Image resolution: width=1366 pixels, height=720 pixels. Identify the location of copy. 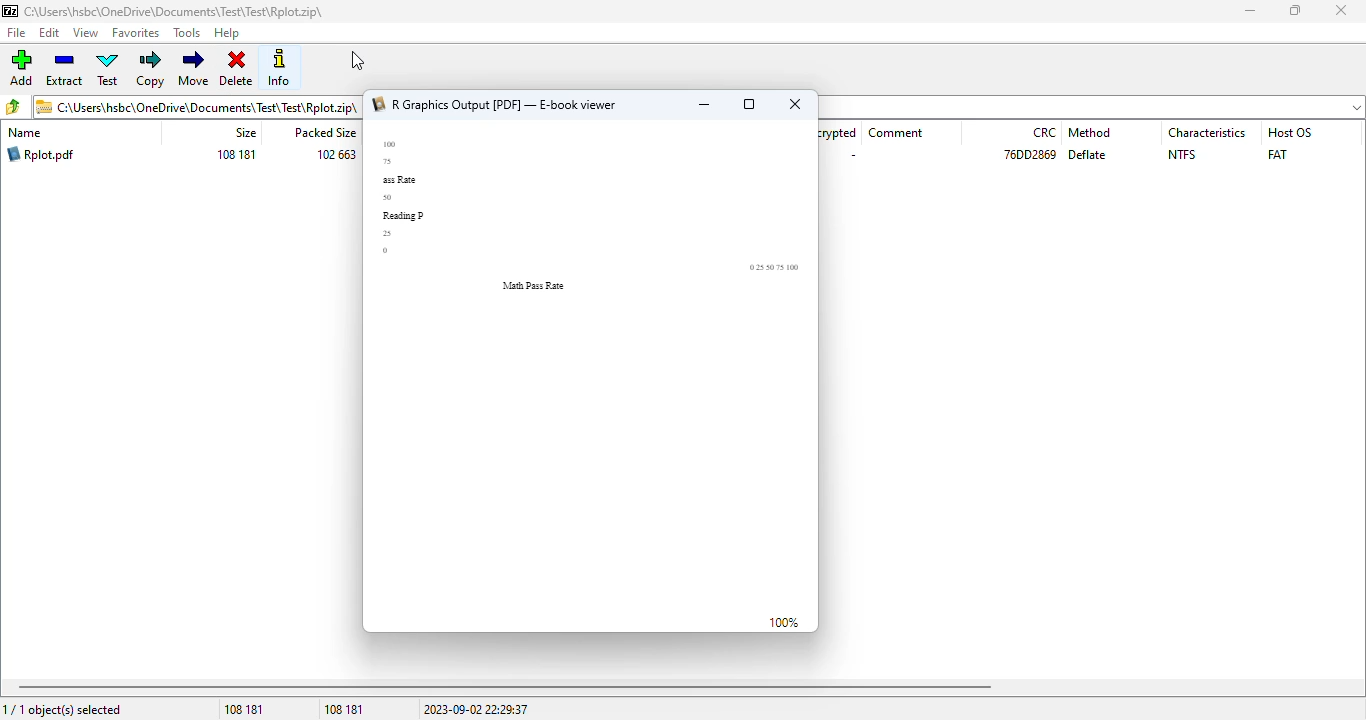
(150, 69).